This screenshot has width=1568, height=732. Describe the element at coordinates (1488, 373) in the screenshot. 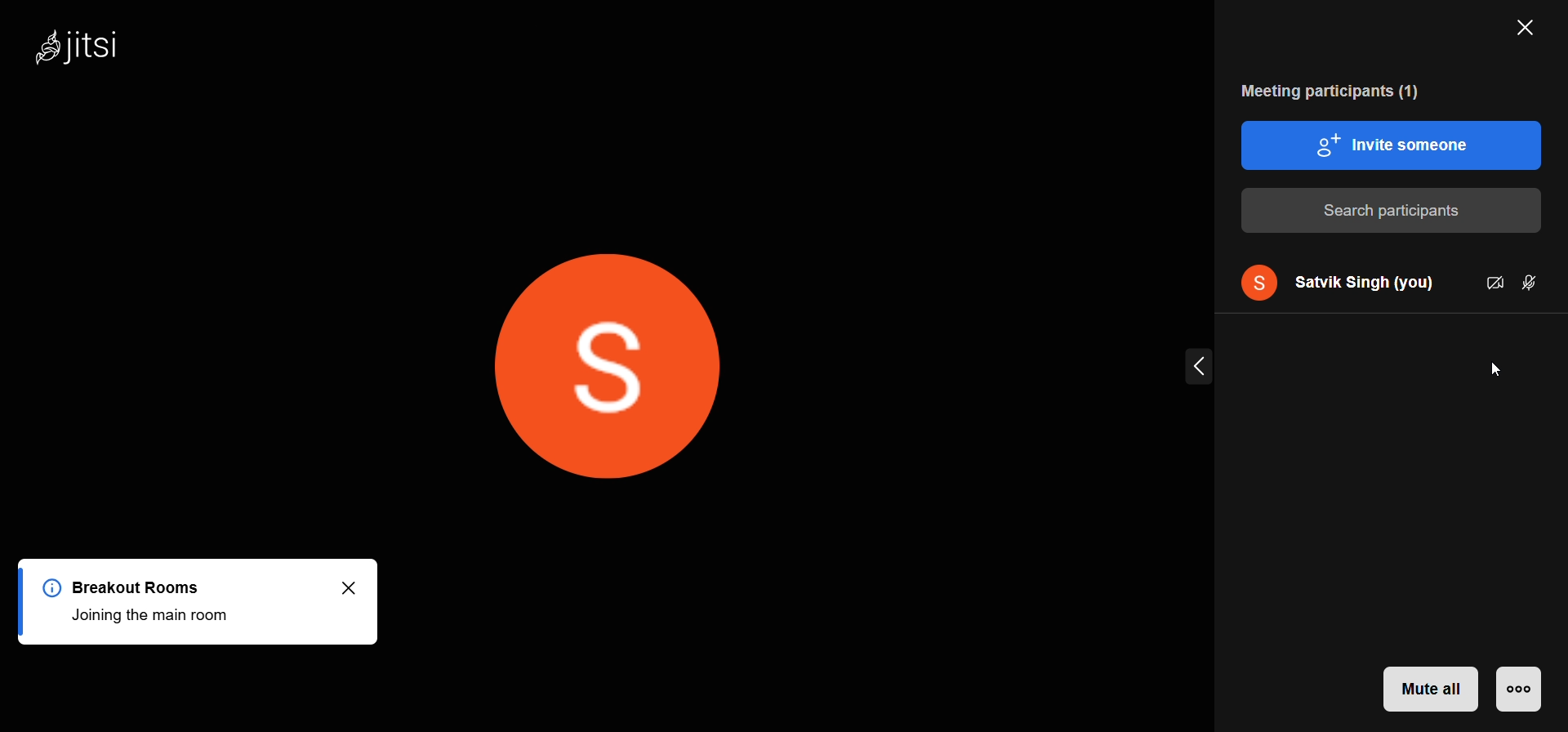

I see `cursor` at that location.